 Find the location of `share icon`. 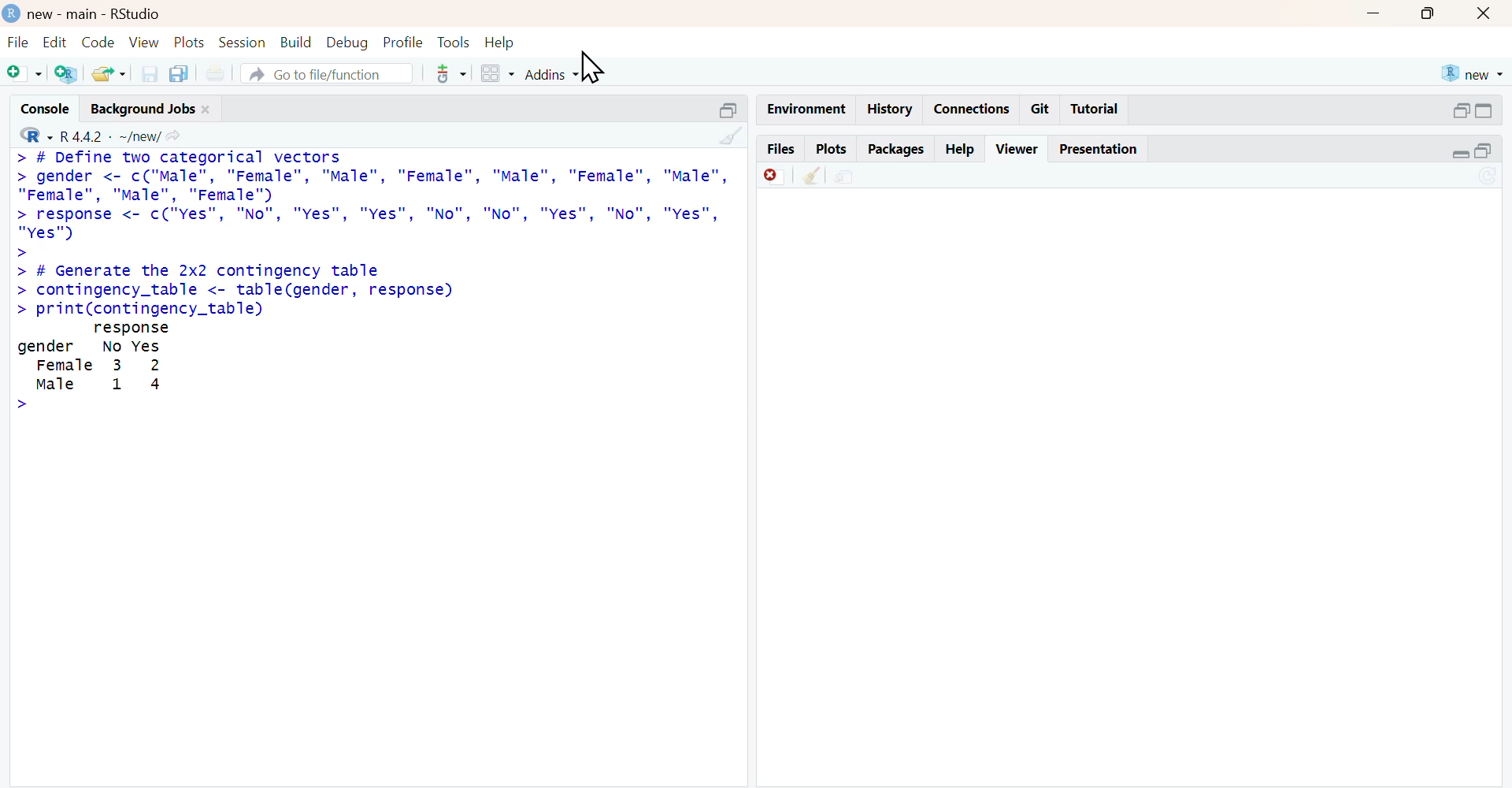

share icon is located at coordinates (175, 137).